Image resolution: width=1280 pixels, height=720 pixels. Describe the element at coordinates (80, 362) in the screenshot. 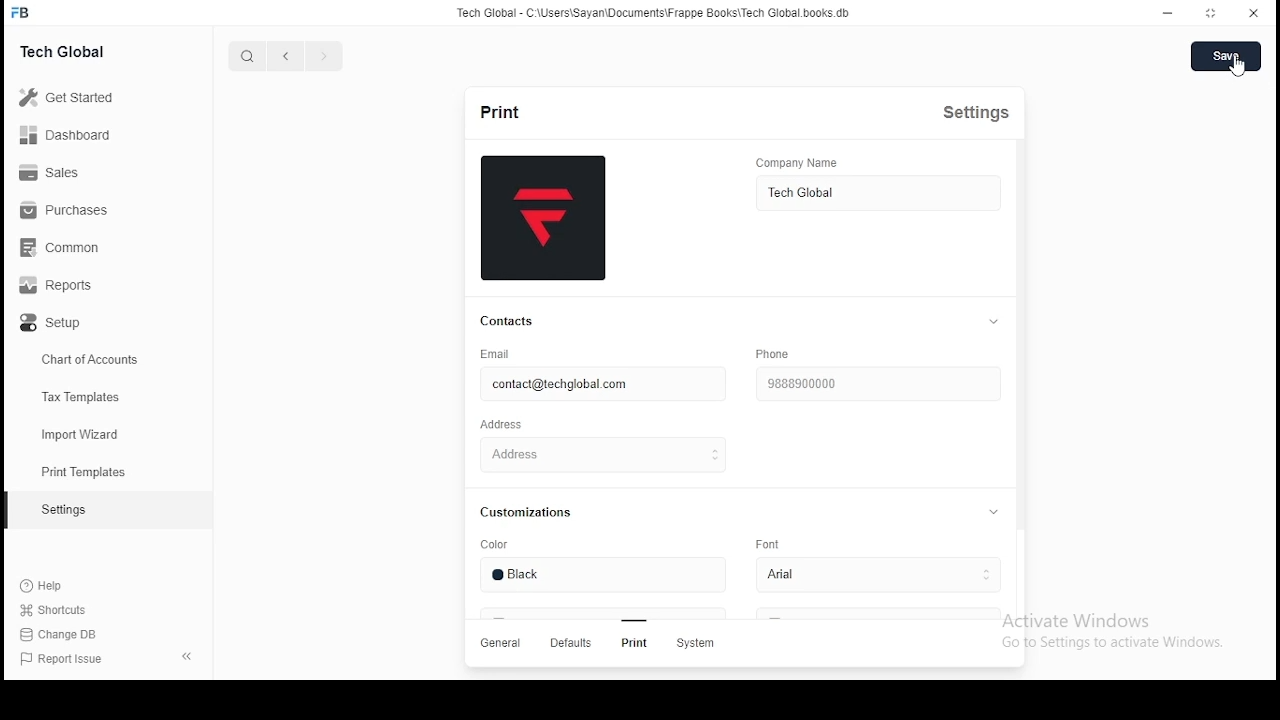

I see `chart of accounts` at that location.